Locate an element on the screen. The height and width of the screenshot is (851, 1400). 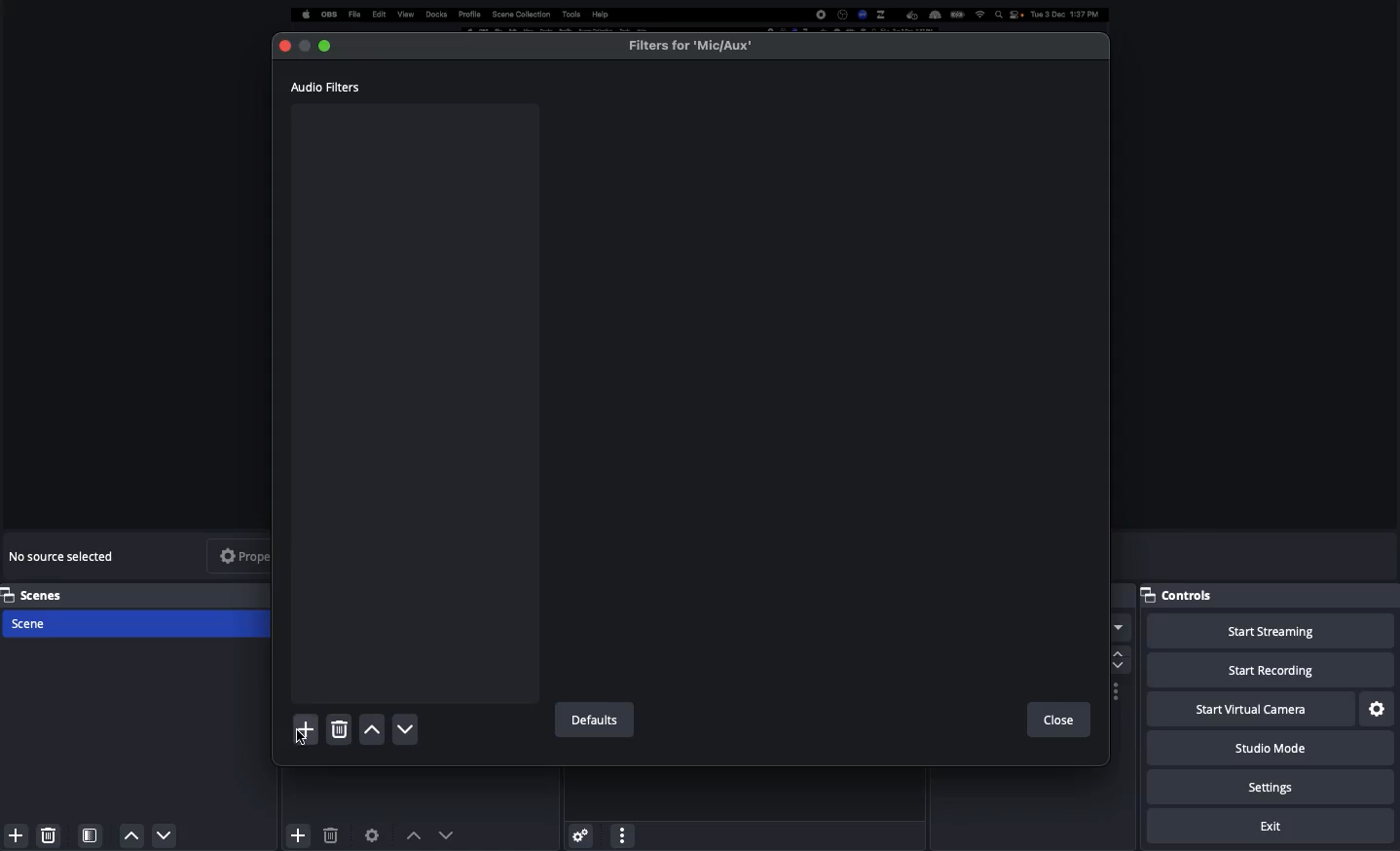
Delete is located at coordinates (49, 832).